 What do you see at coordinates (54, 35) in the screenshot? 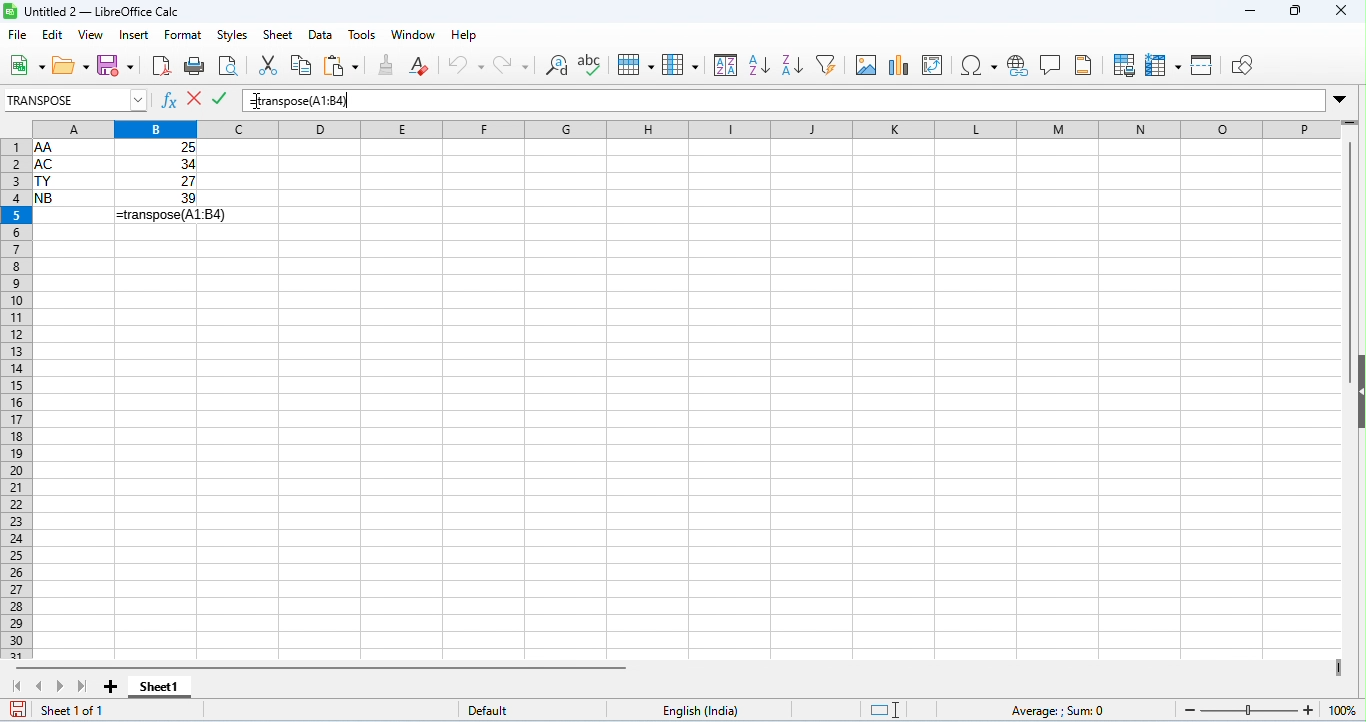
I see `edit` at bounding box center [54, 35].